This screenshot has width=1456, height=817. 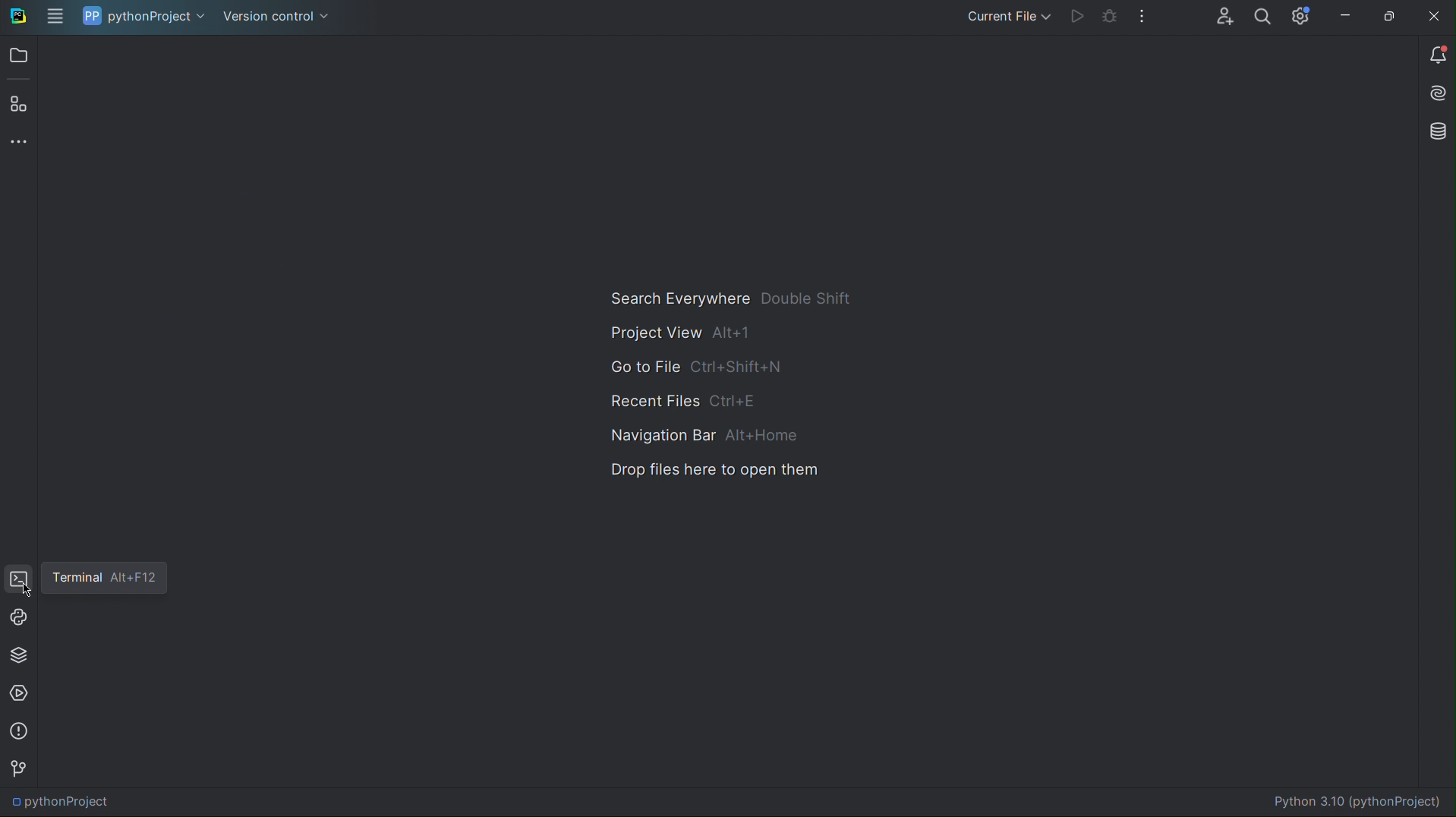 What do you see at coordinates (1142, 19) in the screenshot?
I see `More` at bounding box center [1142, 19].